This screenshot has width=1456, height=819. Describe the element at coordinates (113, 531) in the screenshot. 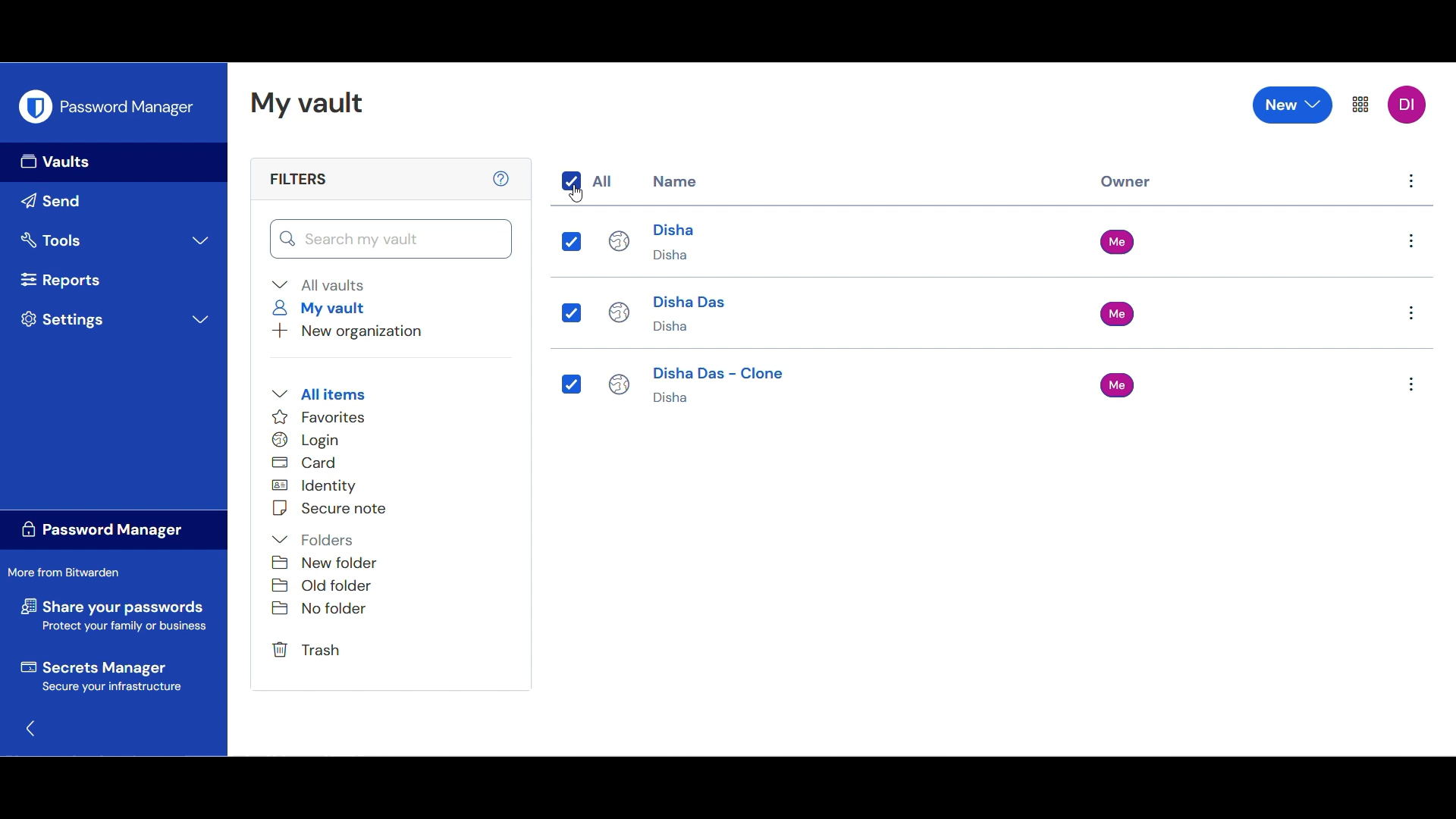

I see `Password manager` at that location.